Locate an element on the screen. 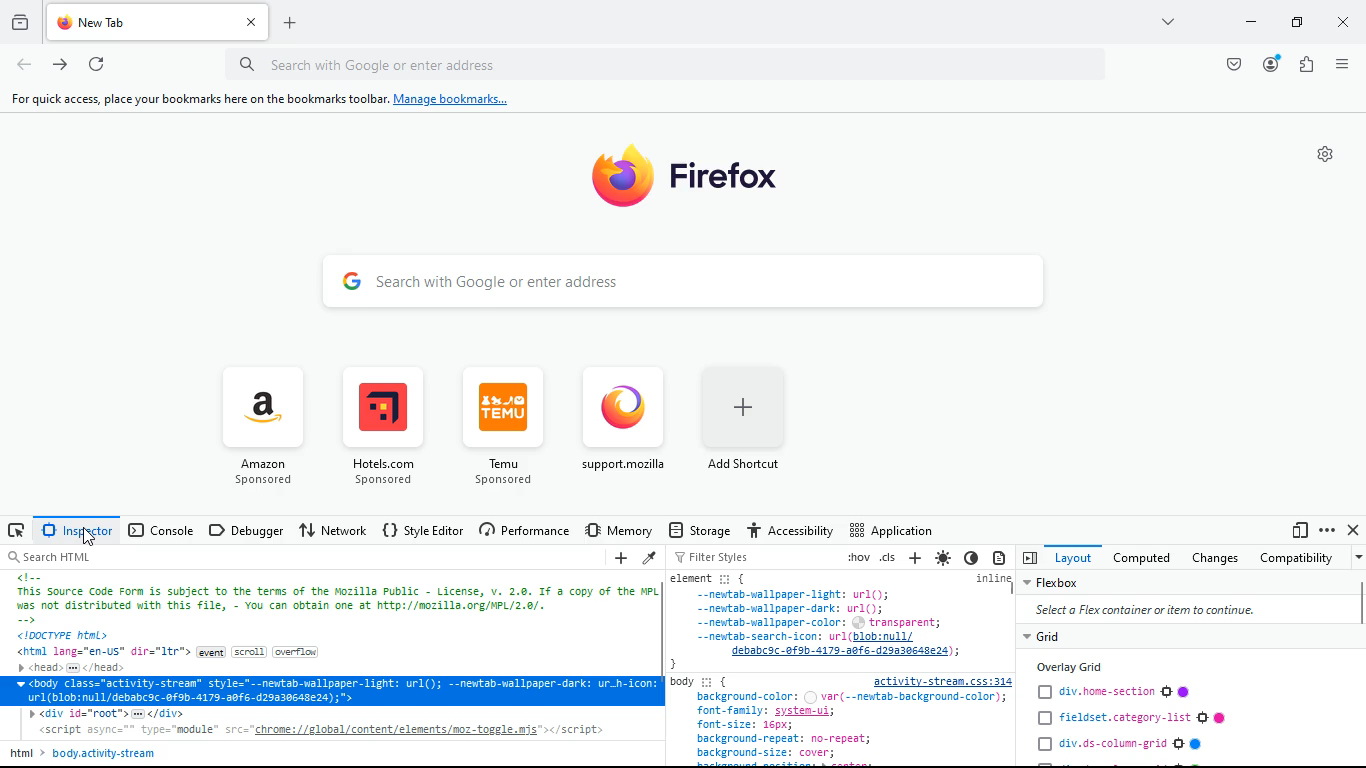 Image resolution: width=1366 pixels, height=768 pixels. menu is located at coordinates (1340, 62).